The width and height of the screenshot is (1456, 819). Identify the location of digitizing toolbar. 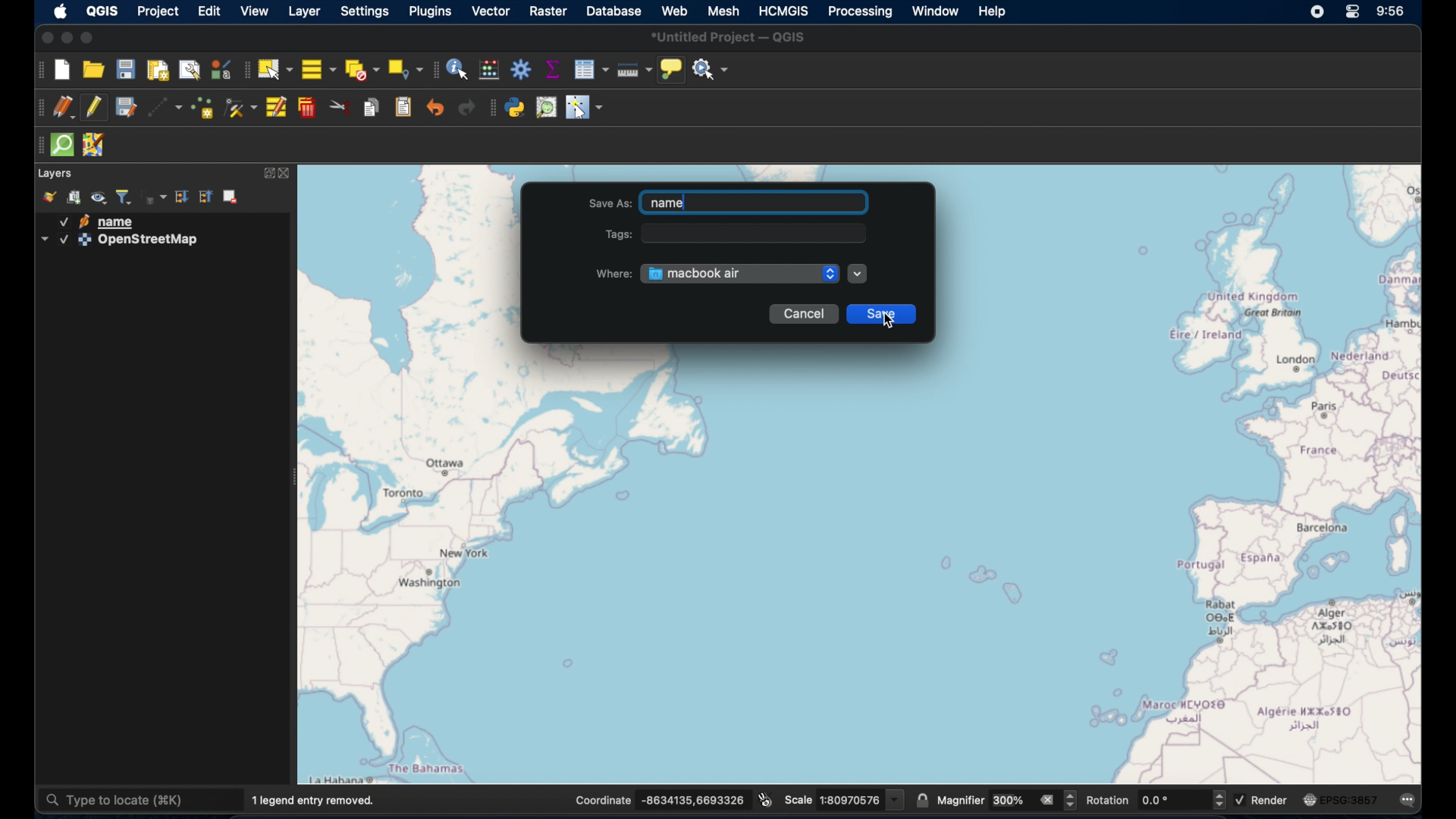
(39, 110).